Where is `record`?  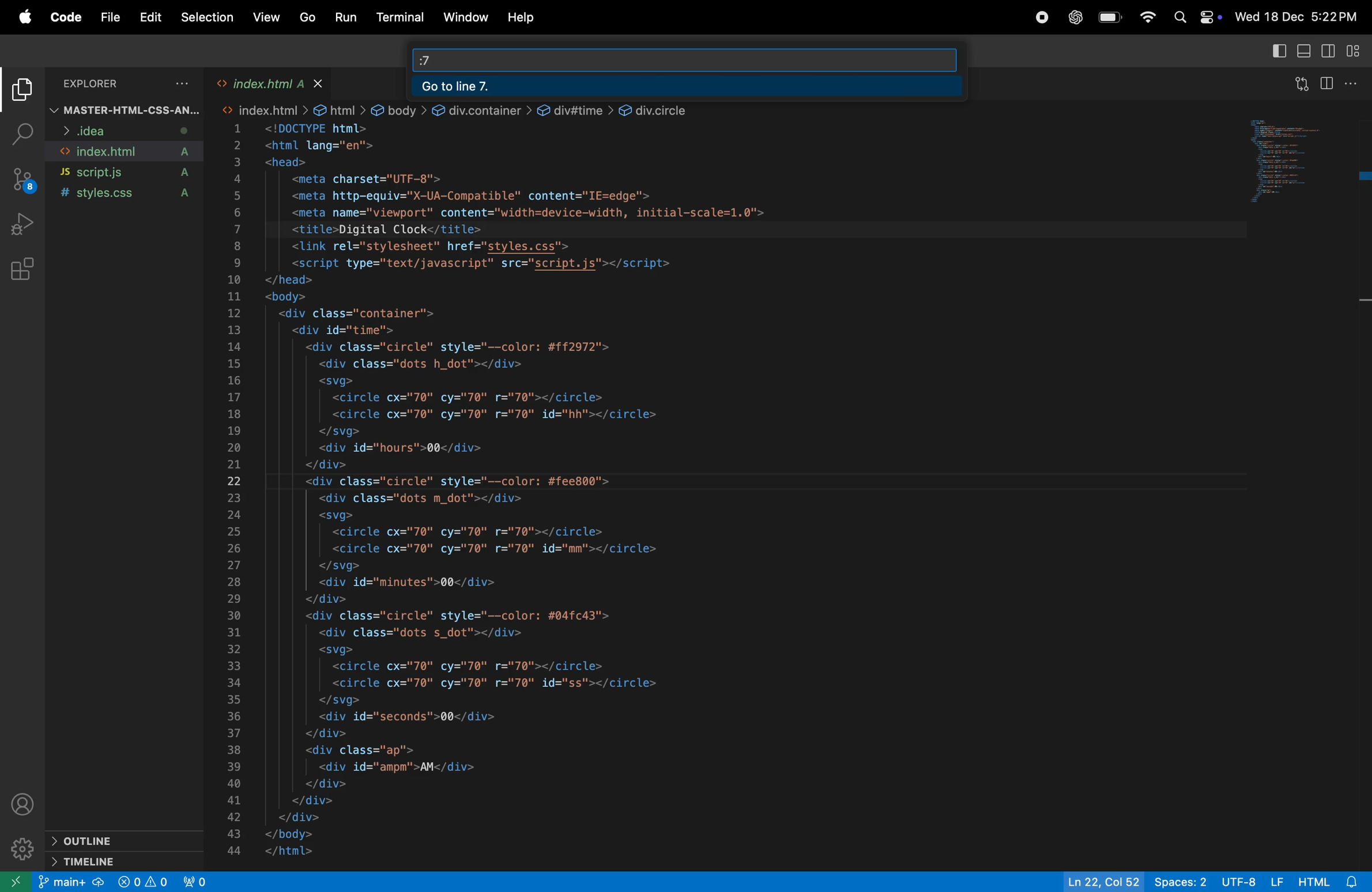
record is located at coordinates (1039, 20).